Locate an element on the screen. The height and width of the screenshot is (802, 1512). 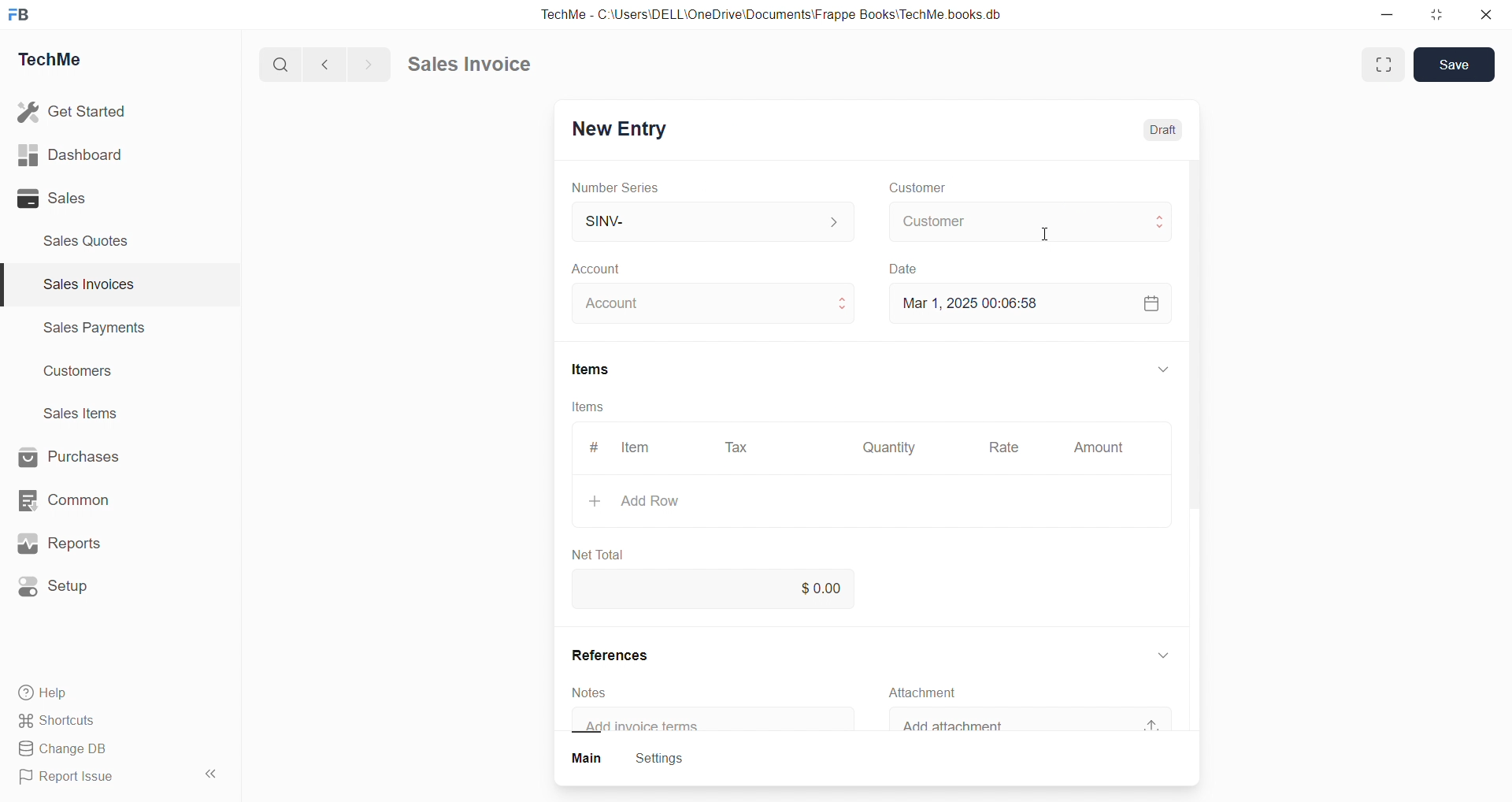
Mar 1, 2025 00:06:58 is located at coordinates (980, 302).